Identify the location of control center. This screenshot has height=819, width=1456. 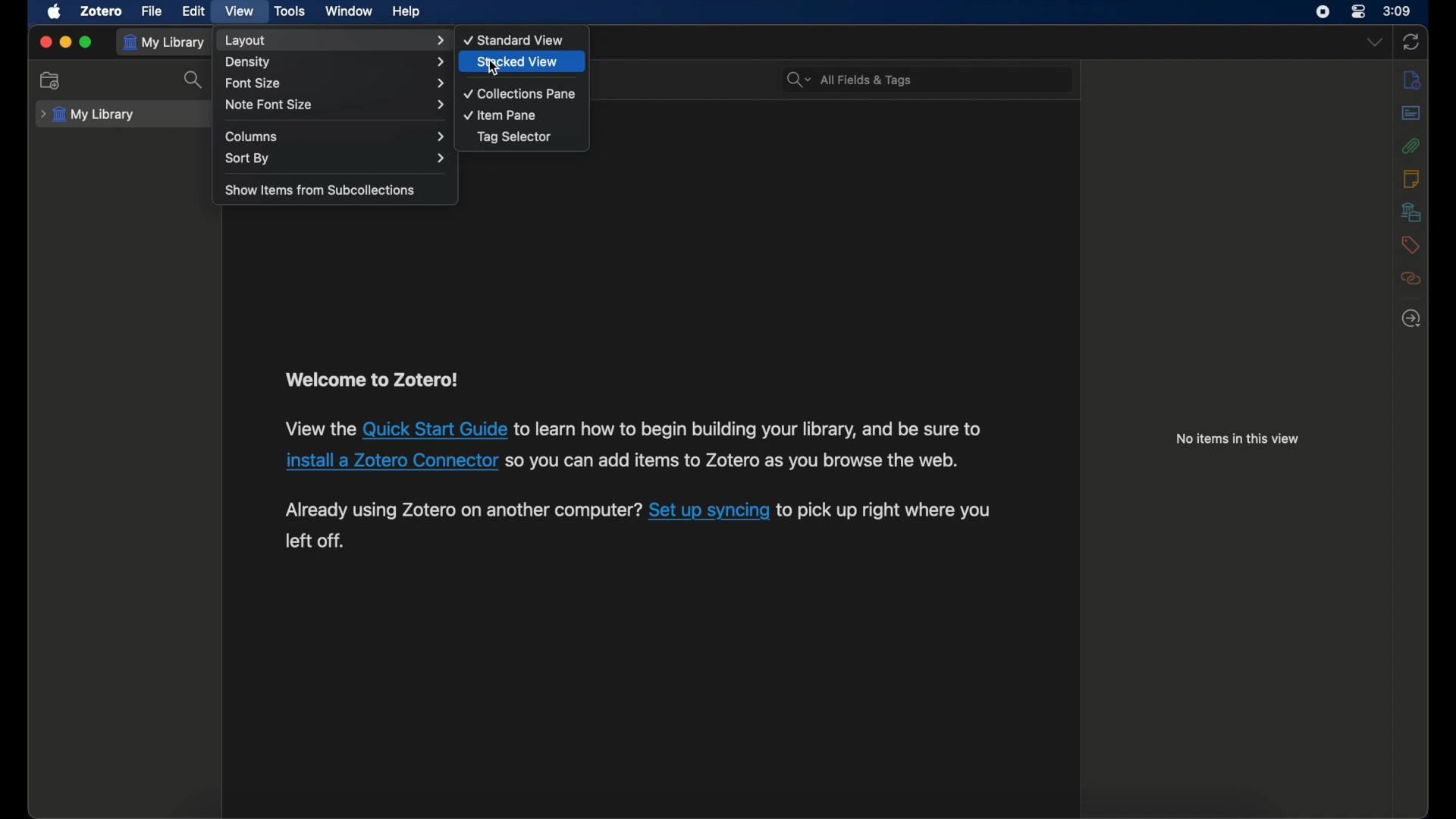
(1359, 12).